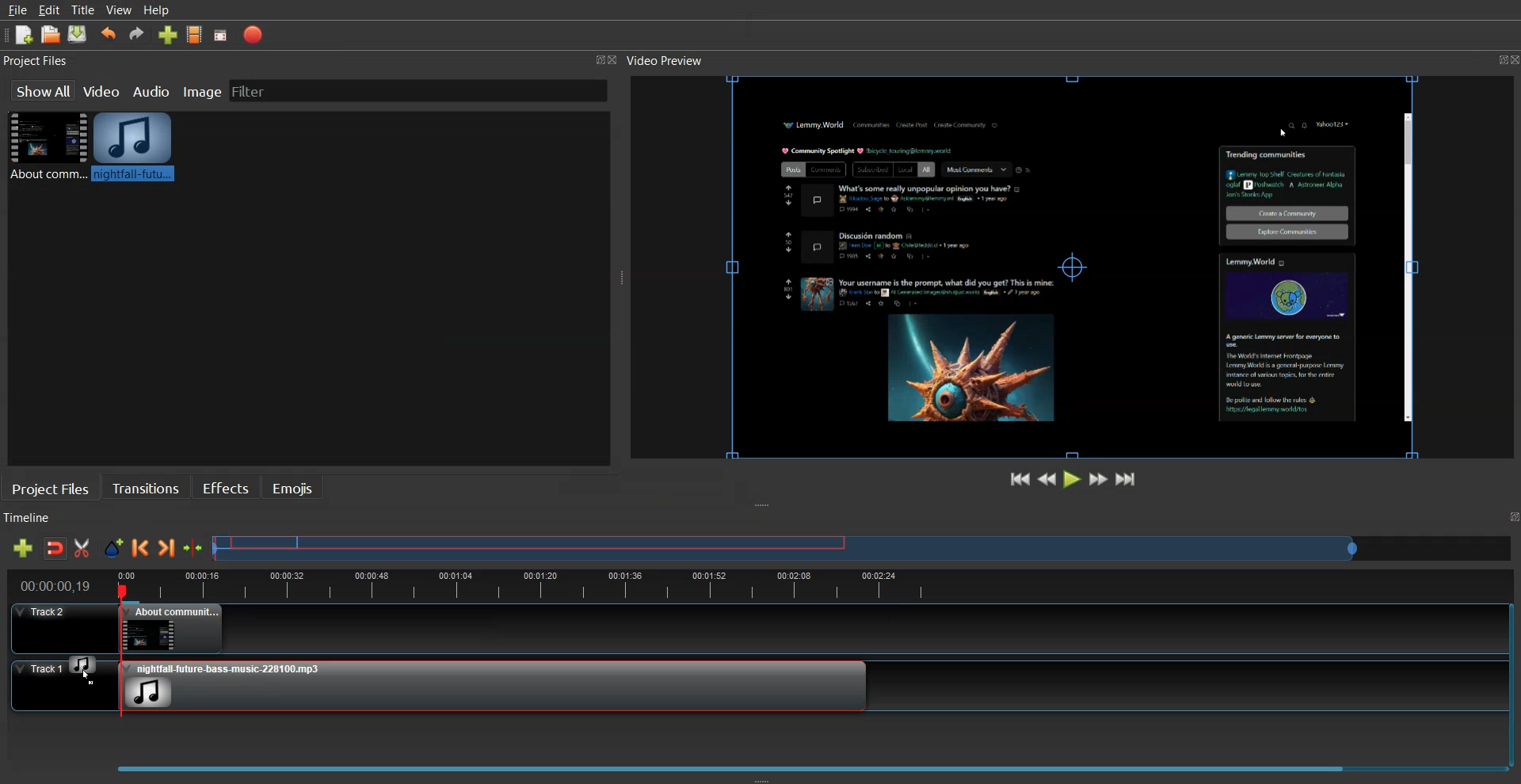 This screenshot has width=1521, height=784. Describe the element at coordinates (622, 281) in the screenshot. I see `Window Adjuster` at that location.